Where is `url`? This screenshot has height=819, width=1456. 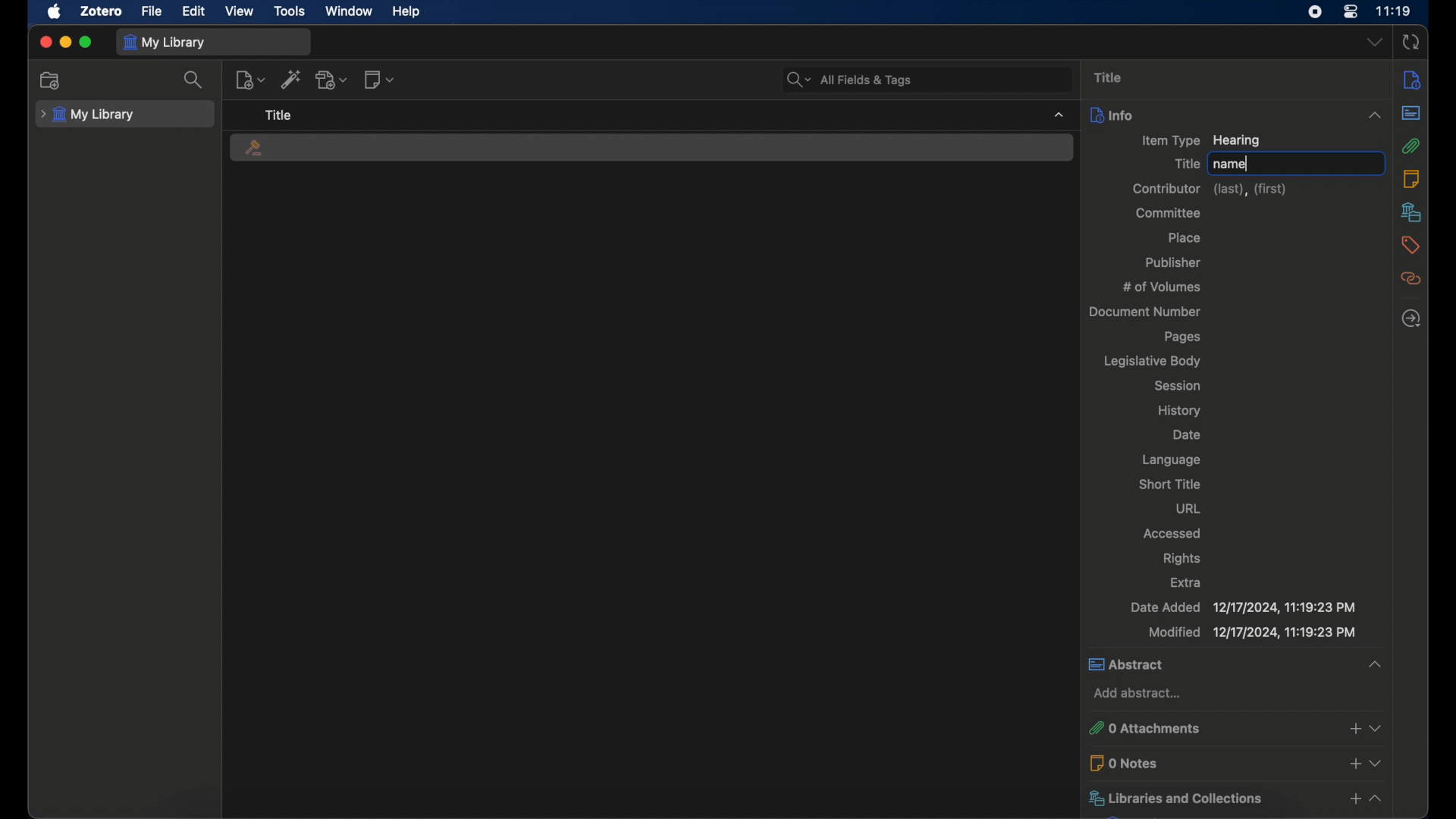 url is located at coordinates (1188, 509).